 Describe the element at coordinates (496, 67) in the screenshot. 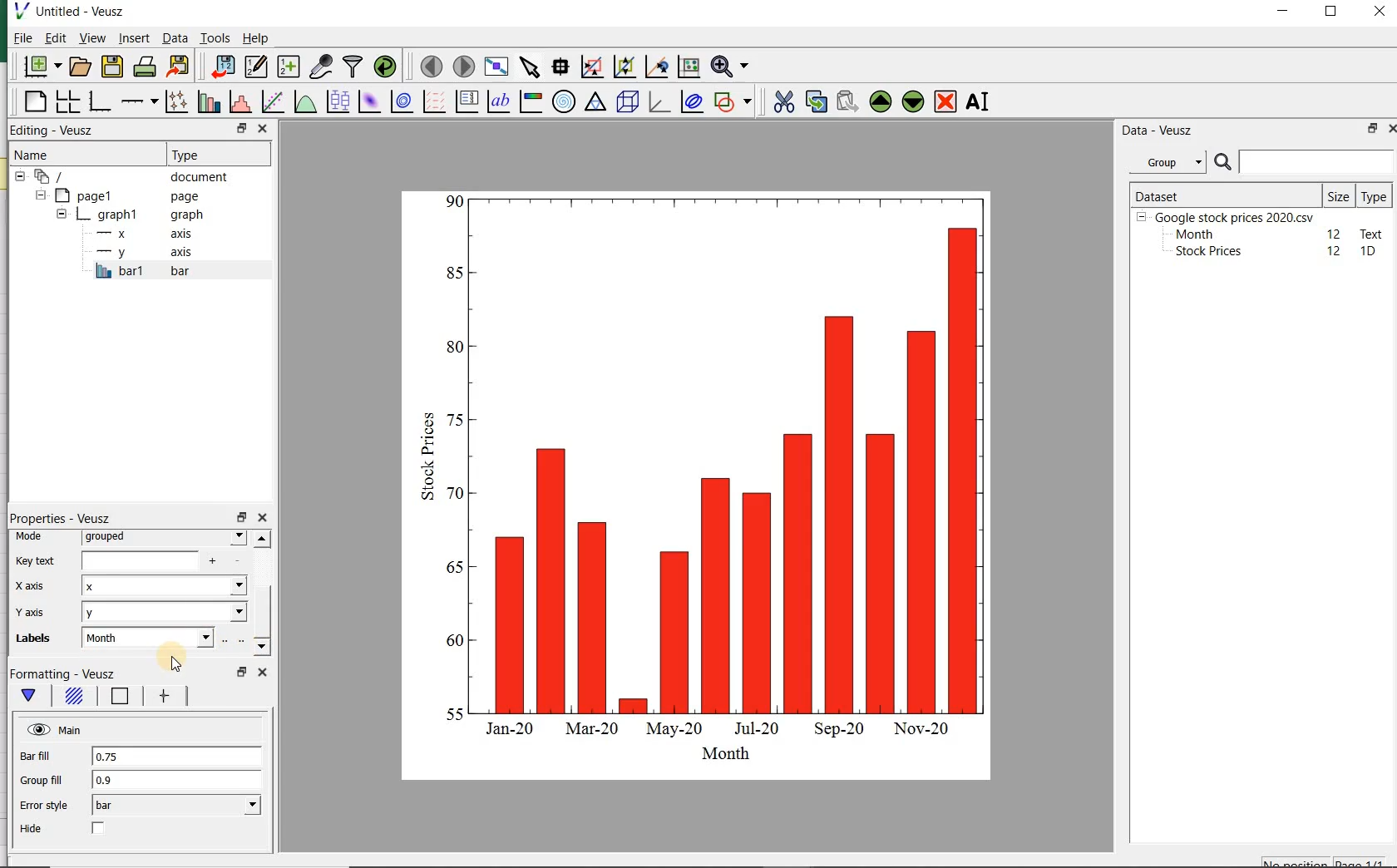

I see `view plot full screen` at that location.